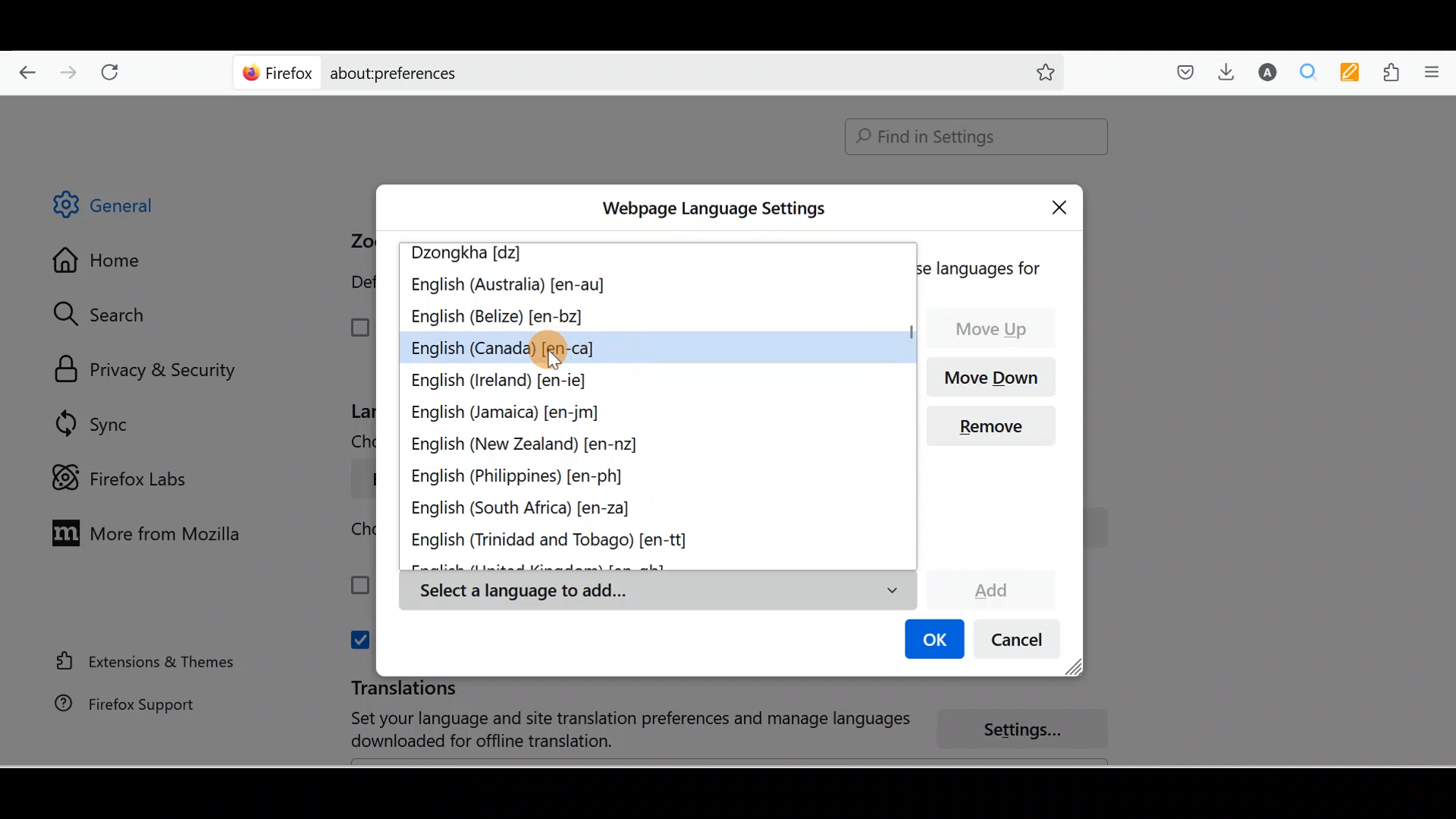 This screenshot has width=1456, height=819. Describe the element at coordinates (932, 641) in the screenshot. I see `OK` at that location.